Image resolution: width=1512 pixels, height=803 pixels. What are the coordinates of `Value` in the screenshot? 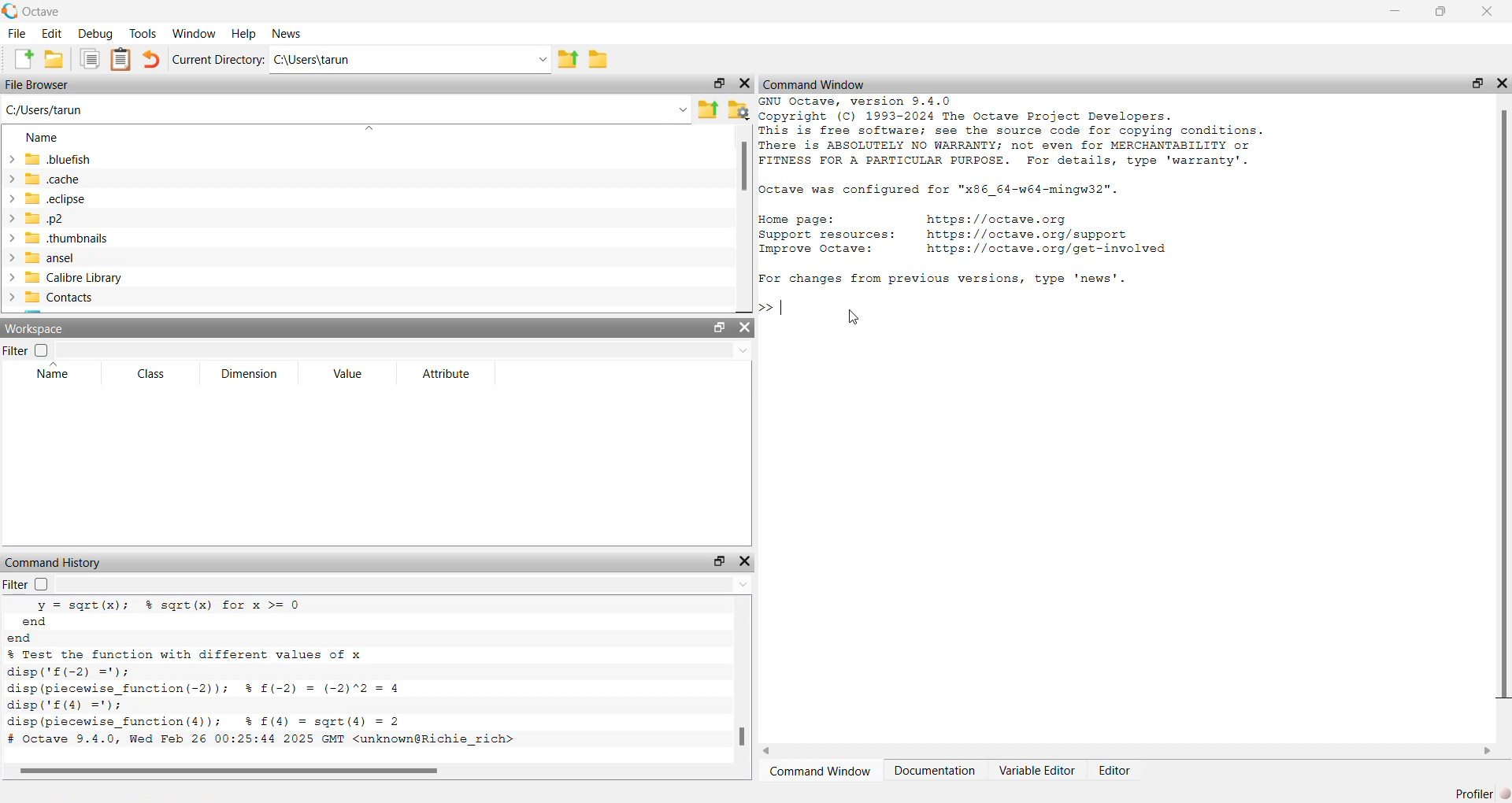 It's located at (348, 375).